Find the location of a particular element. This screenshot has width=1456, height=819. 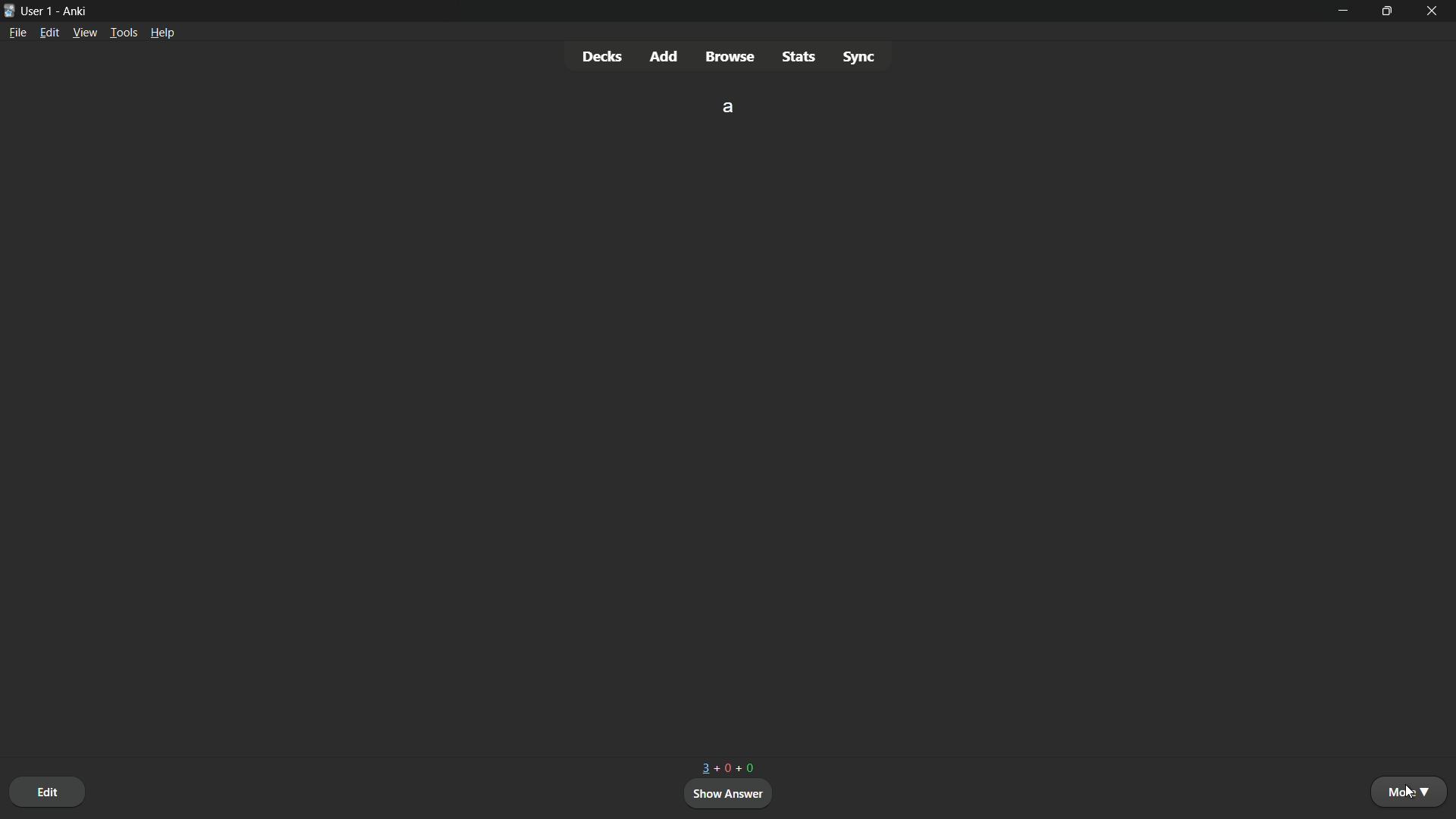

user 1 is located at coordinates (39, 11).